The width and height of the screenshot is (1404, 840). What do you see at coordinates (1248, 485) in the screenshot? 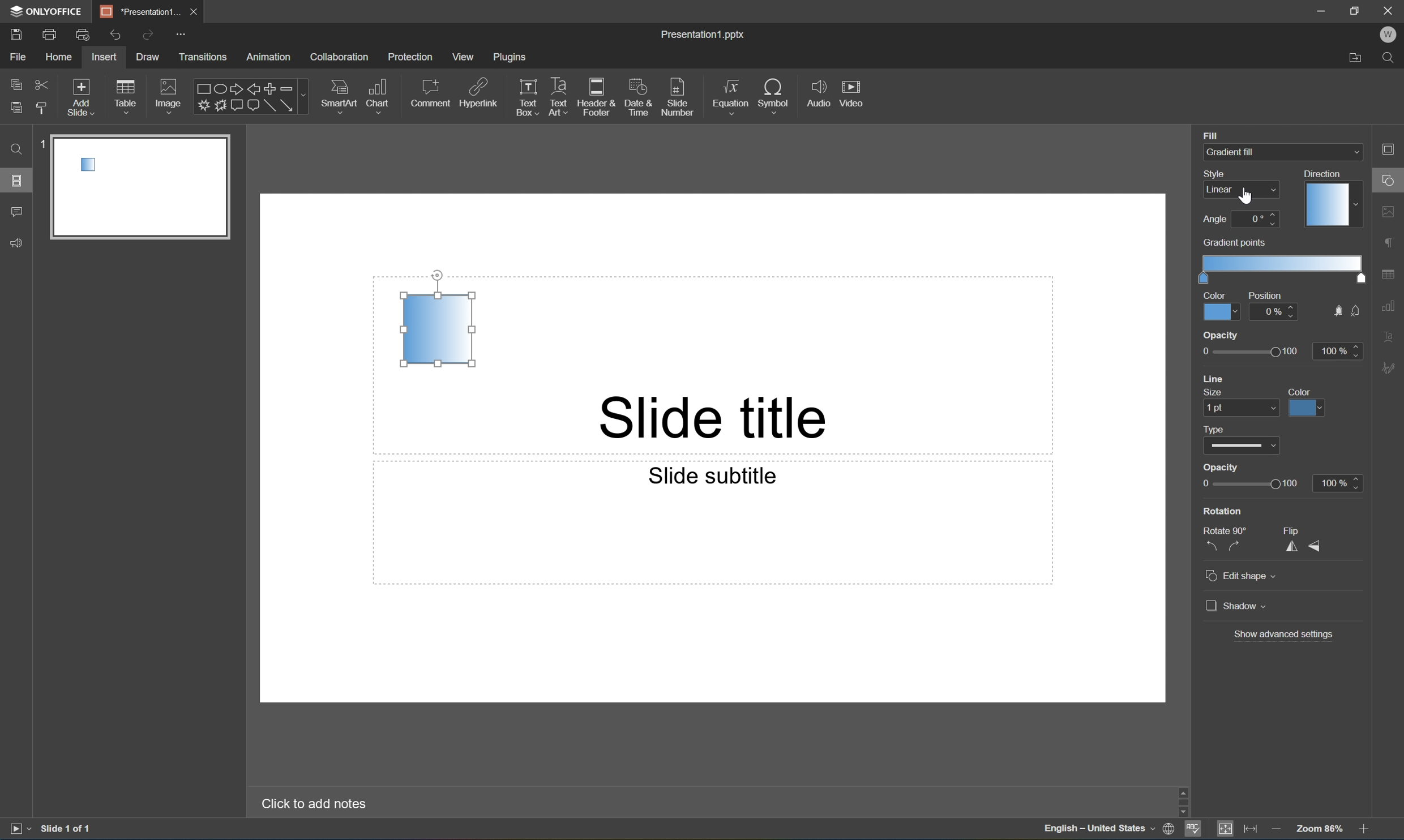
I see `Slider` at bounding box center [1248, 485].